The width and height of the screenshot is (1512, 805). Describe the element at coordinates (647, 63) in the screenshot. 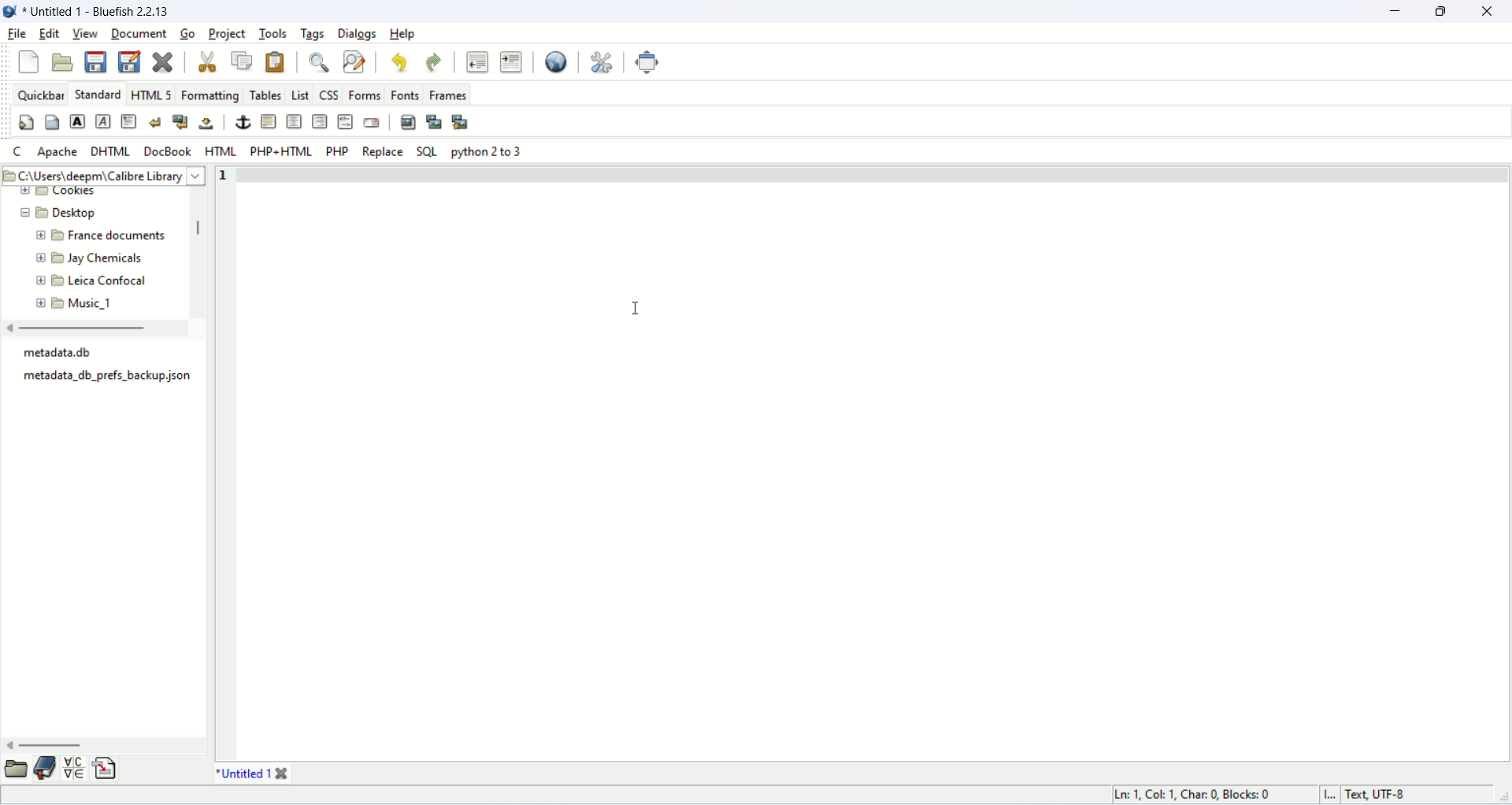

I see `fullscreen` at that location.